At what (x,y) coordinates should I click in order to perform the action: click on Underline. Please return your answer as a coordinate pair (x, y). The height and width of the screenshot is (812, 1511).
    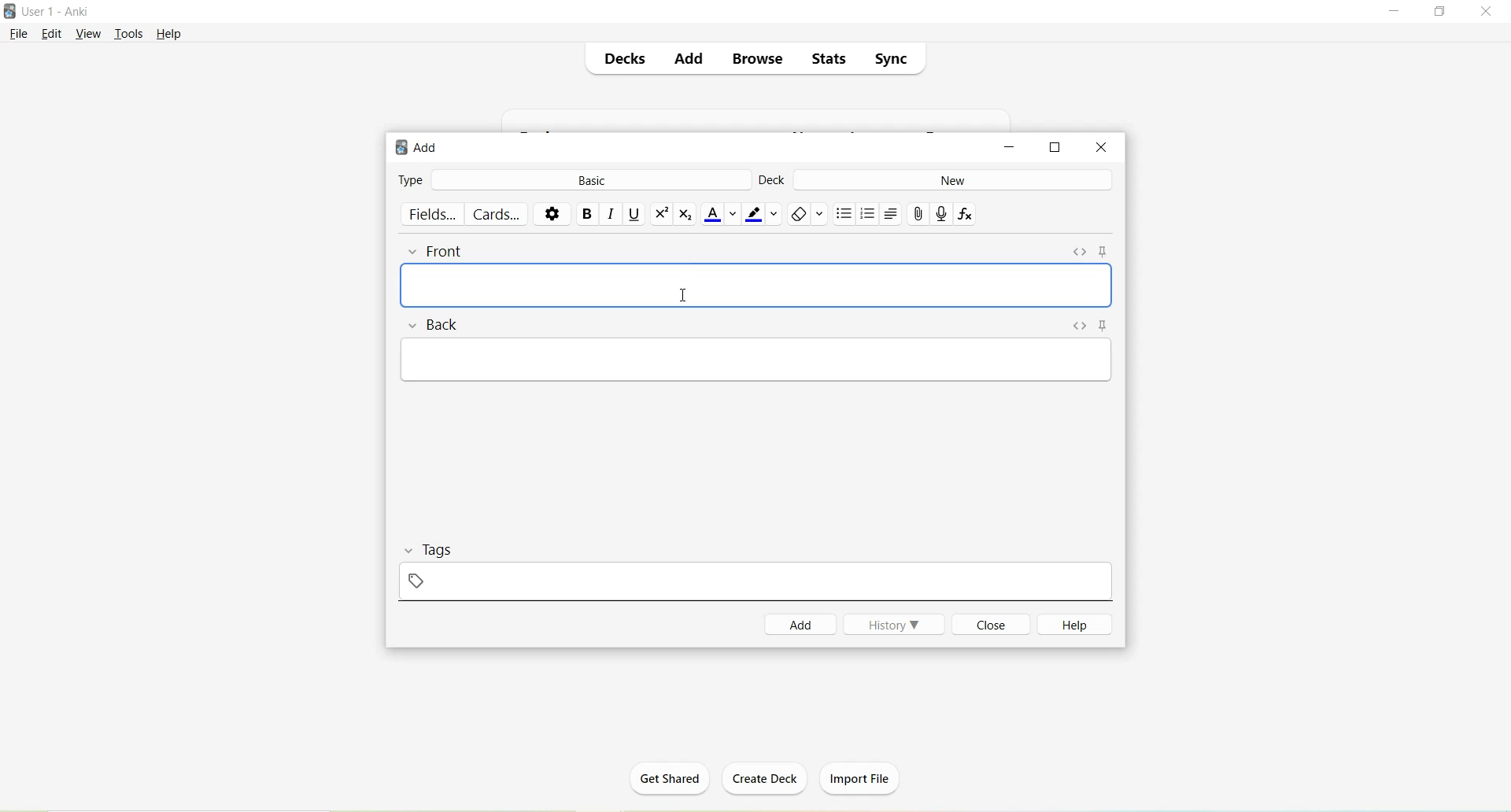
    Looking at the image, I should click on (636, 215).